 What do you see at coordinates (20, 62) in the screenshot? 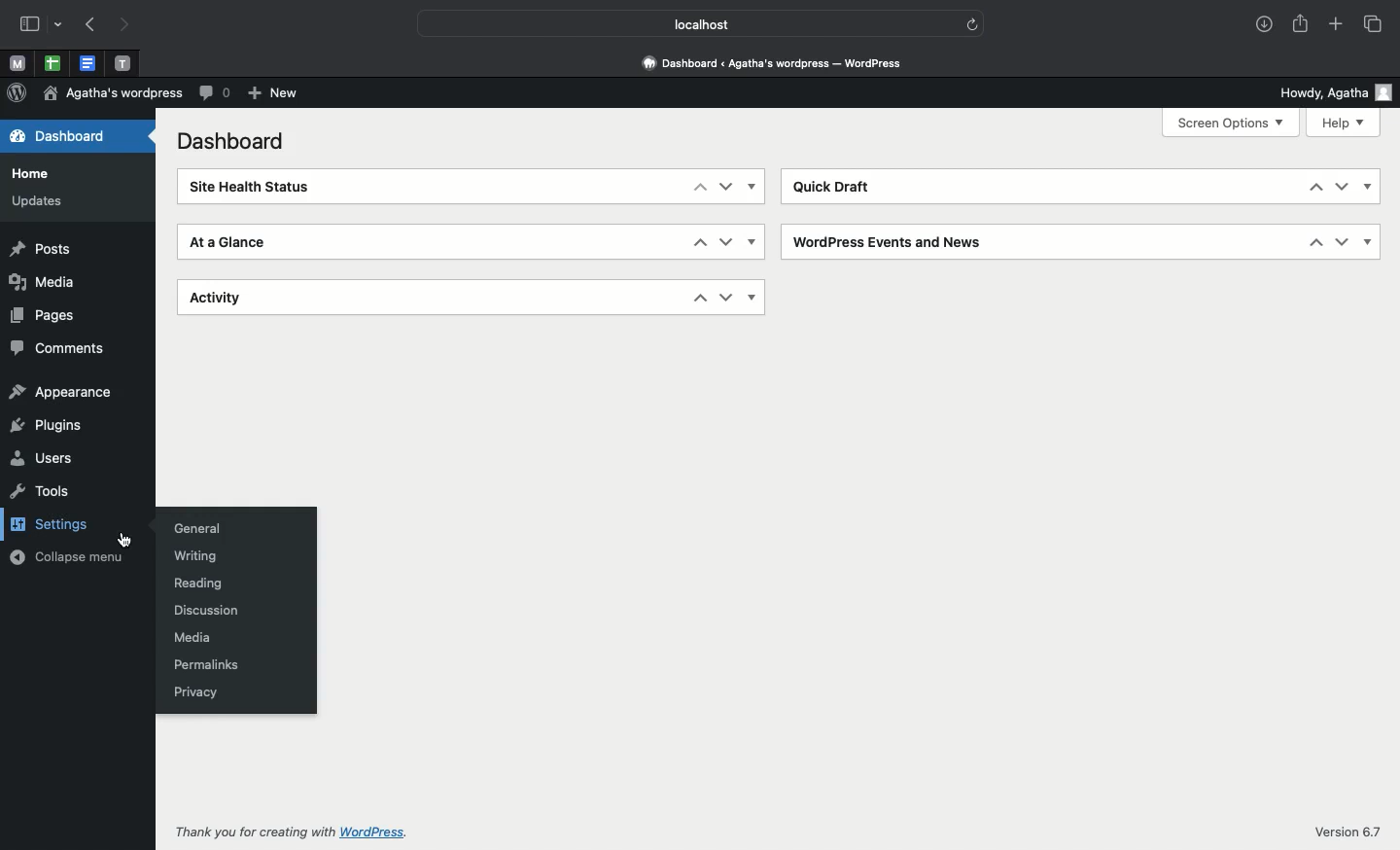
I see `Pinned tabs` at bounding box center [20, 62].